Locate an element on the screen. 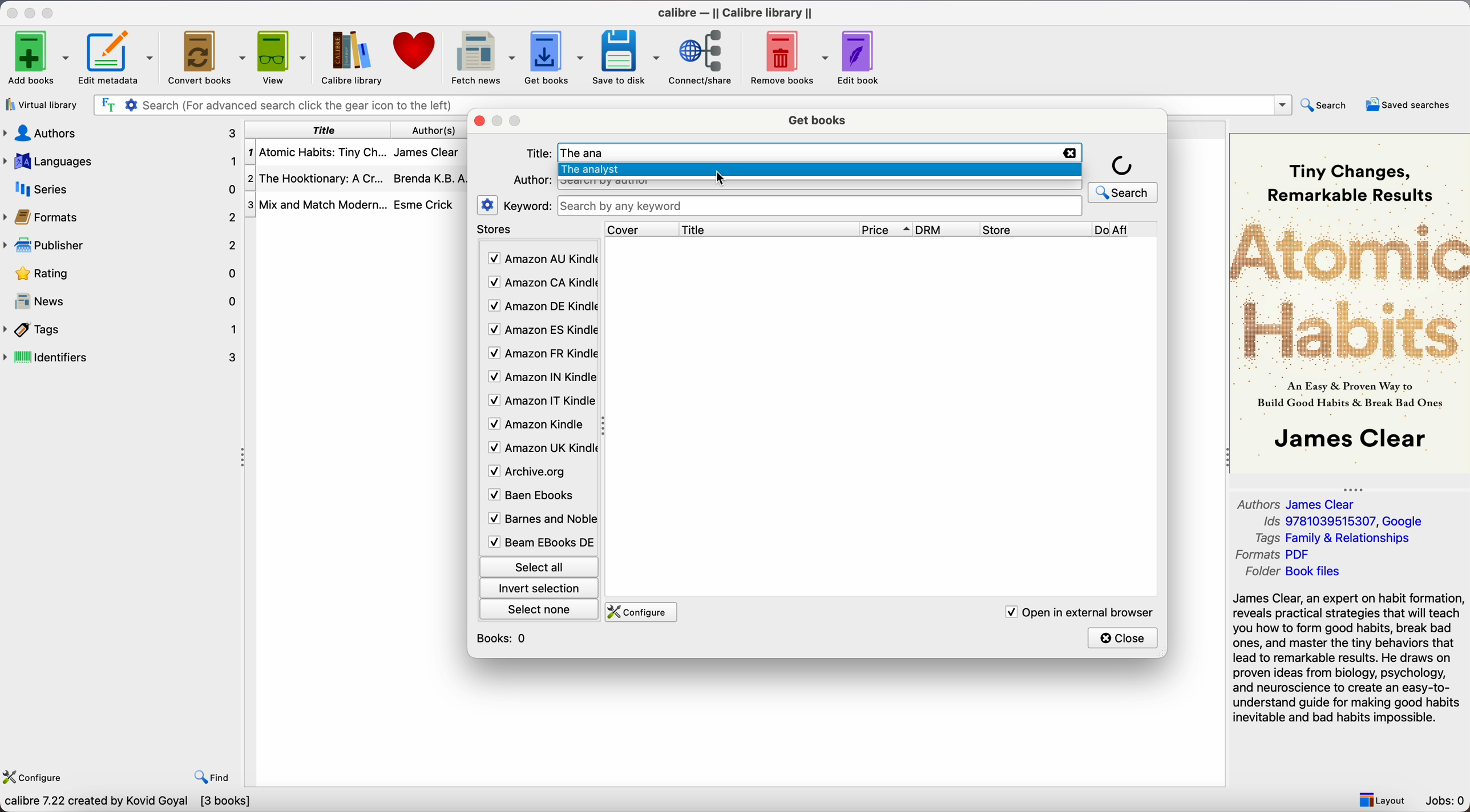 Image resolution: width=1470 pixels, height=812 pixels. settings is located at coordinates (487, 205).